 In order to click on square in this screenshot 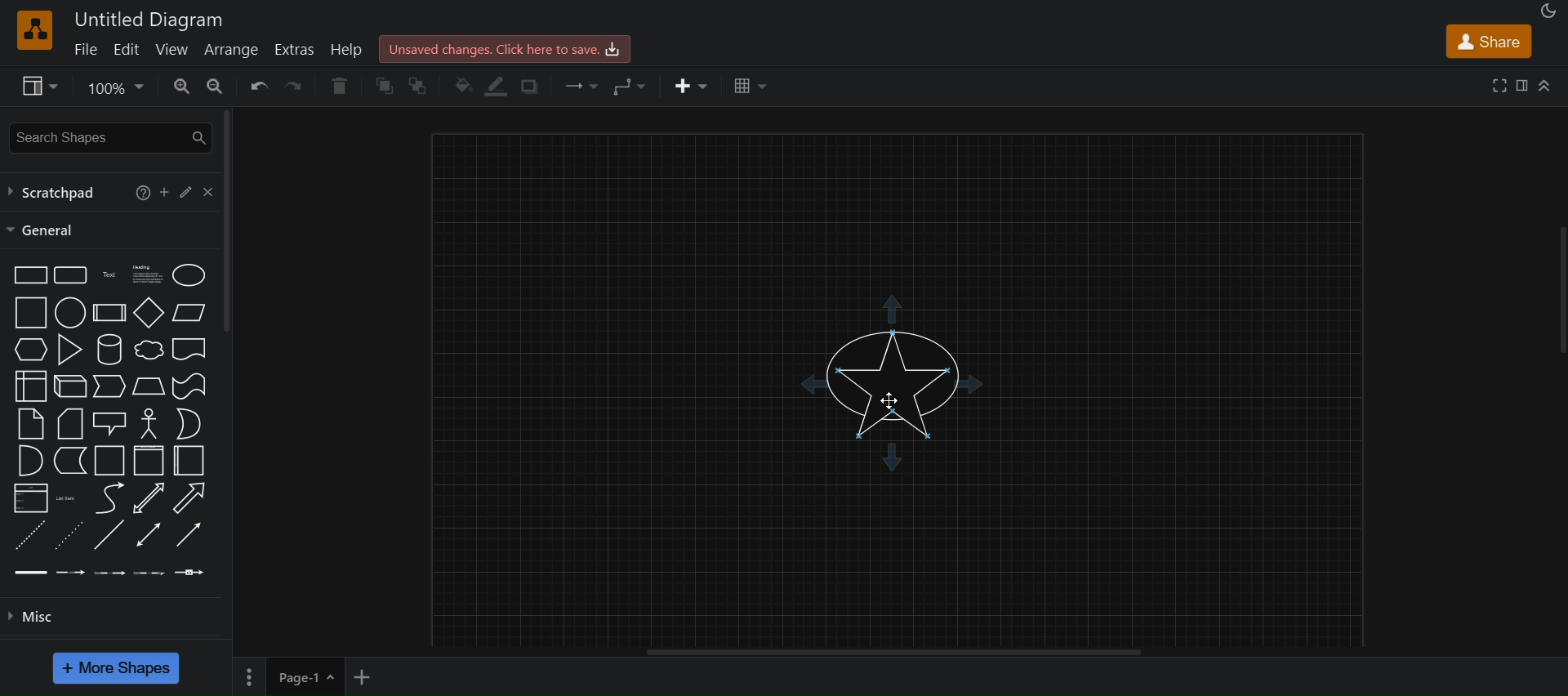, I will do `click(31, 311)`.